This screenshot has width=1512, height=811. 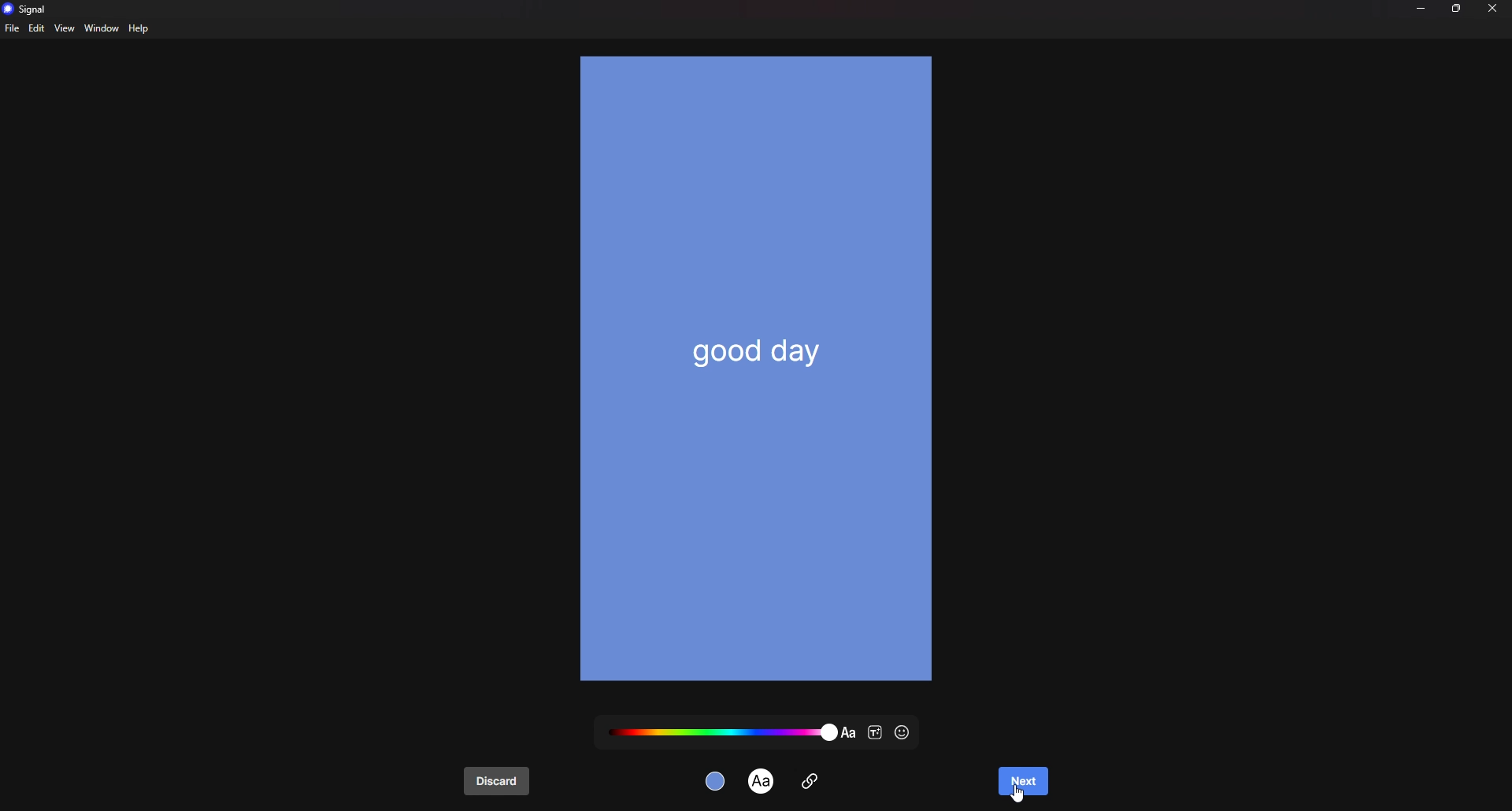 What do you see at coordinates (1421, 8) in the screenshot?
I see `minimize` at bounding box center [1421, 8].